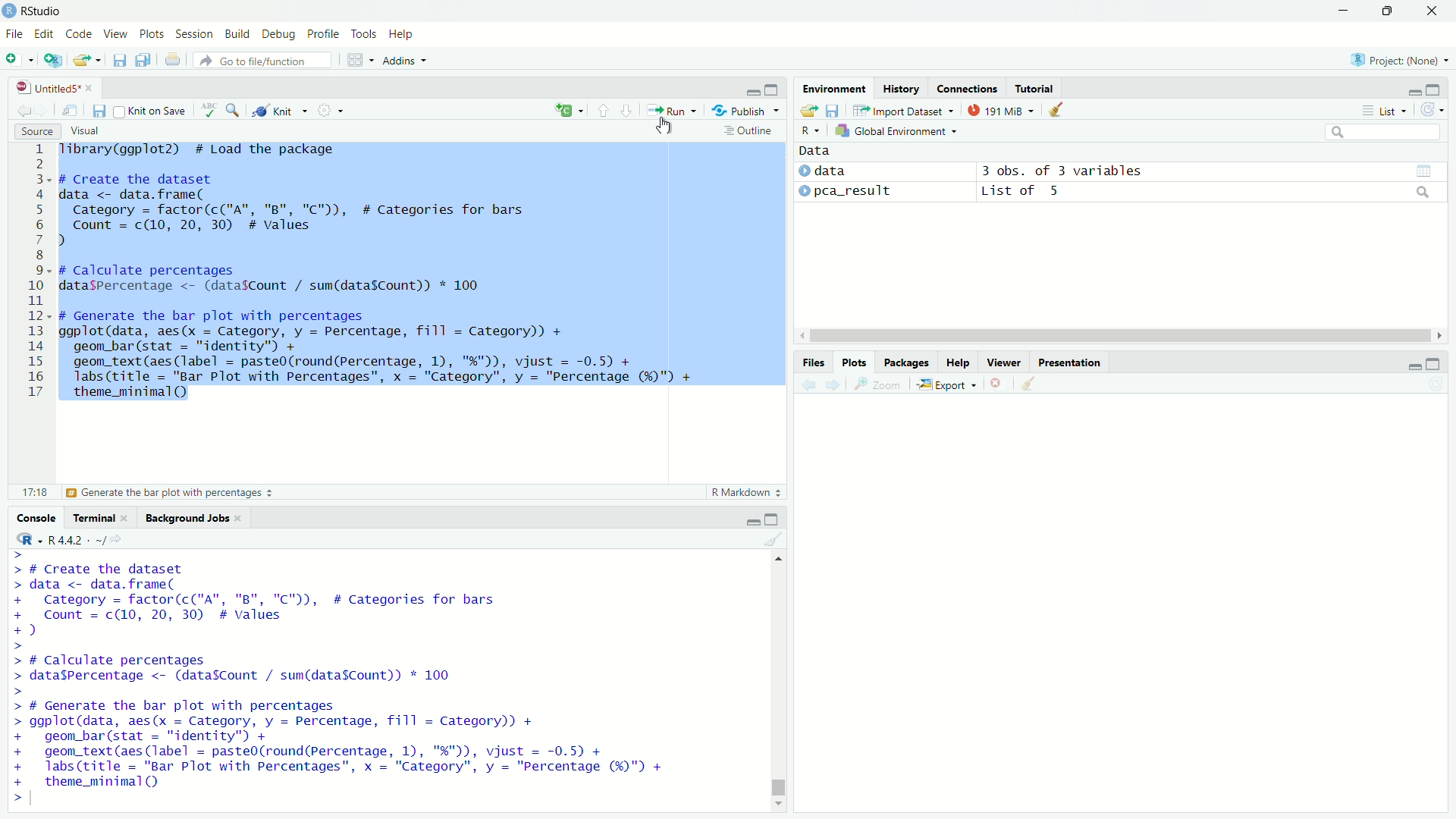 The height and width of the screenshot is (819, 1456). Describe the element at coordinates (1343, 10) in the screenshot. I see `minimize` at that location.